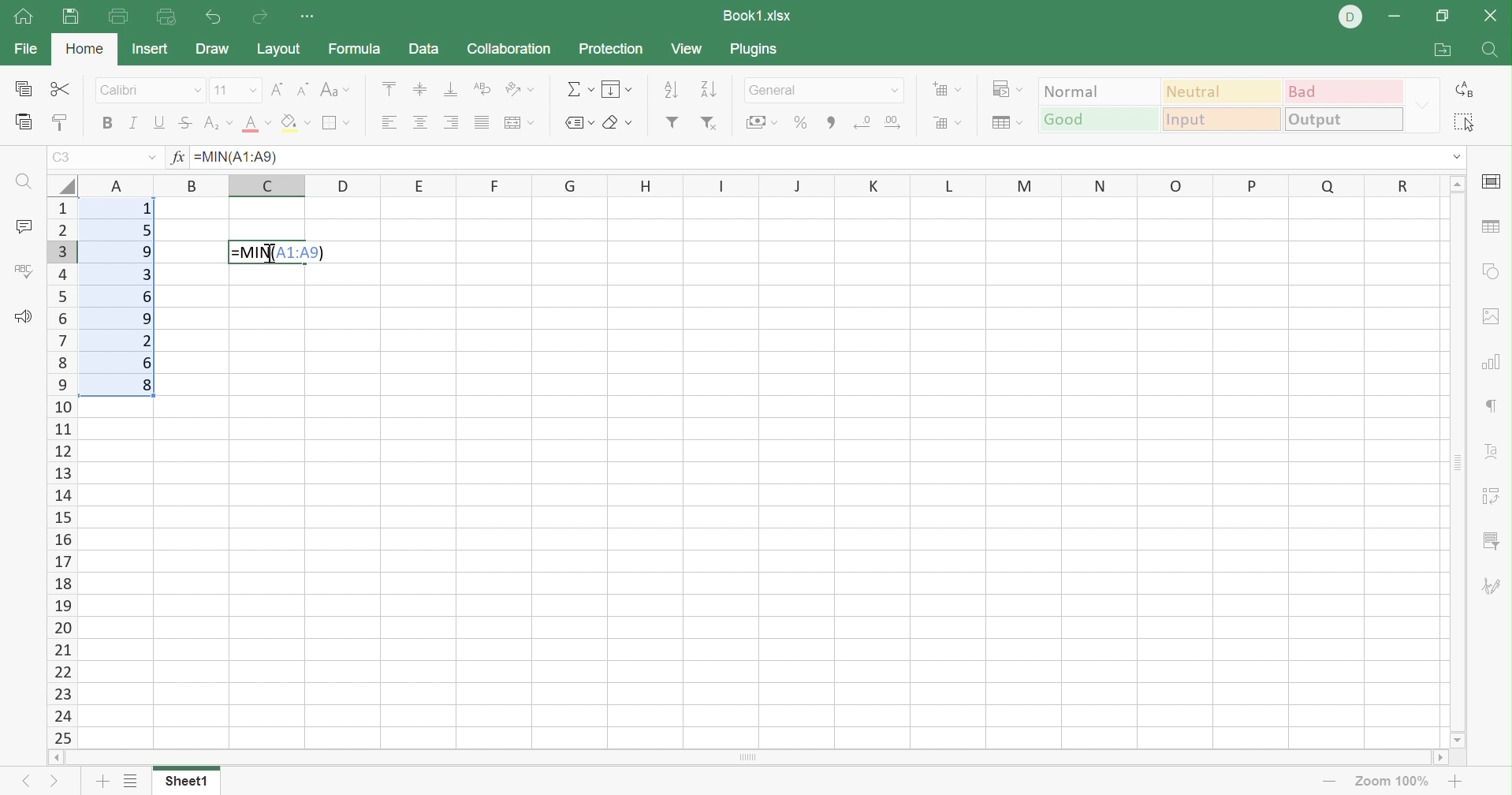 Image resolution: width=1512 pixels, height=795 pixels. I want to click on Decrement font size, so click(304, 90).